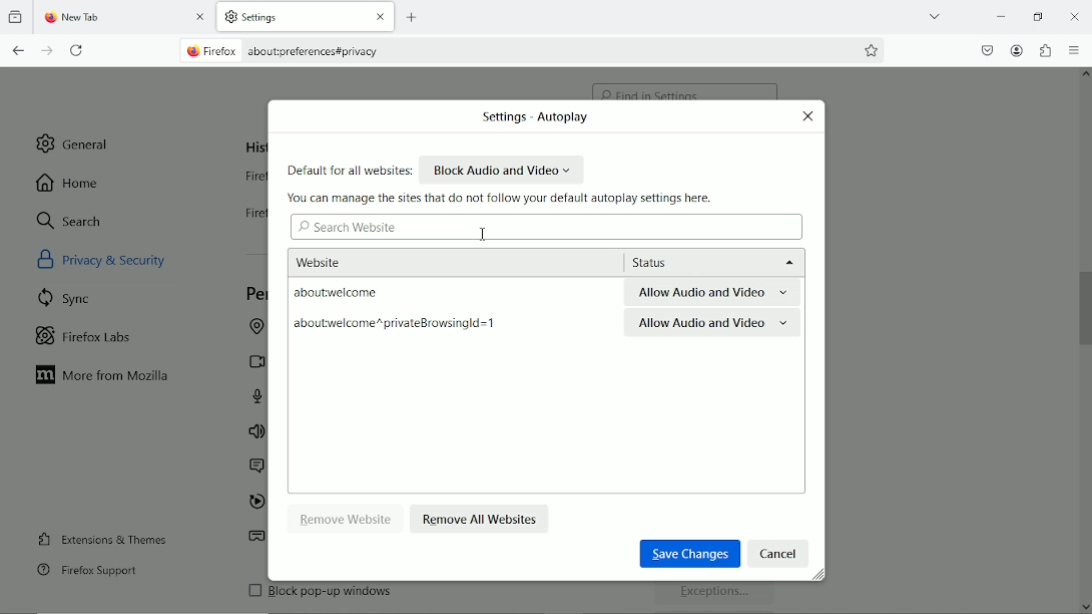 This screenshot has width=1092, height=614. What do you see at coordinates (1038, 14) in the screenshot?
I see `restore down` at bounding box center [1038, 14].